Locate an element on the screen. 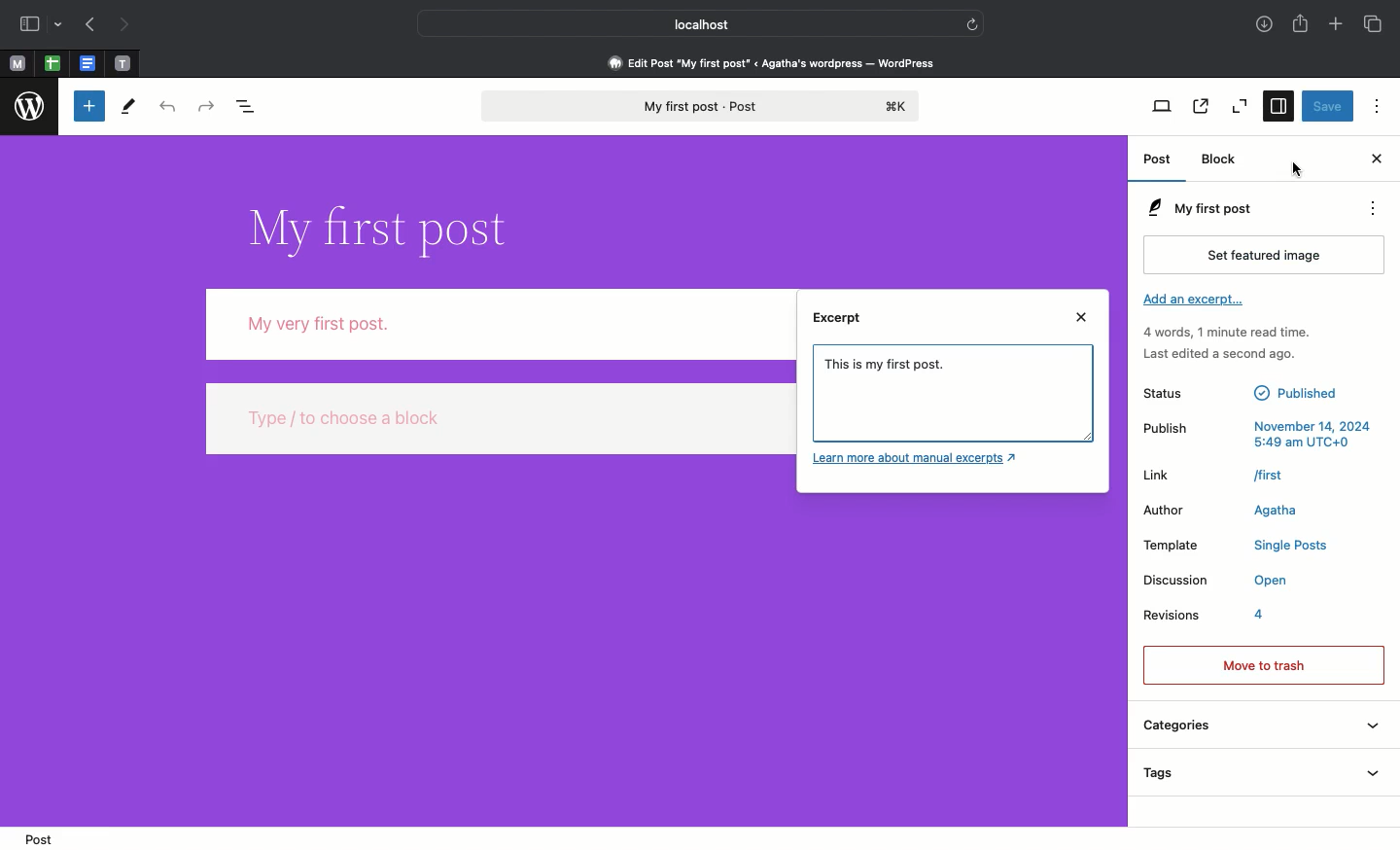  Next page is located at coordinates (129, 23).